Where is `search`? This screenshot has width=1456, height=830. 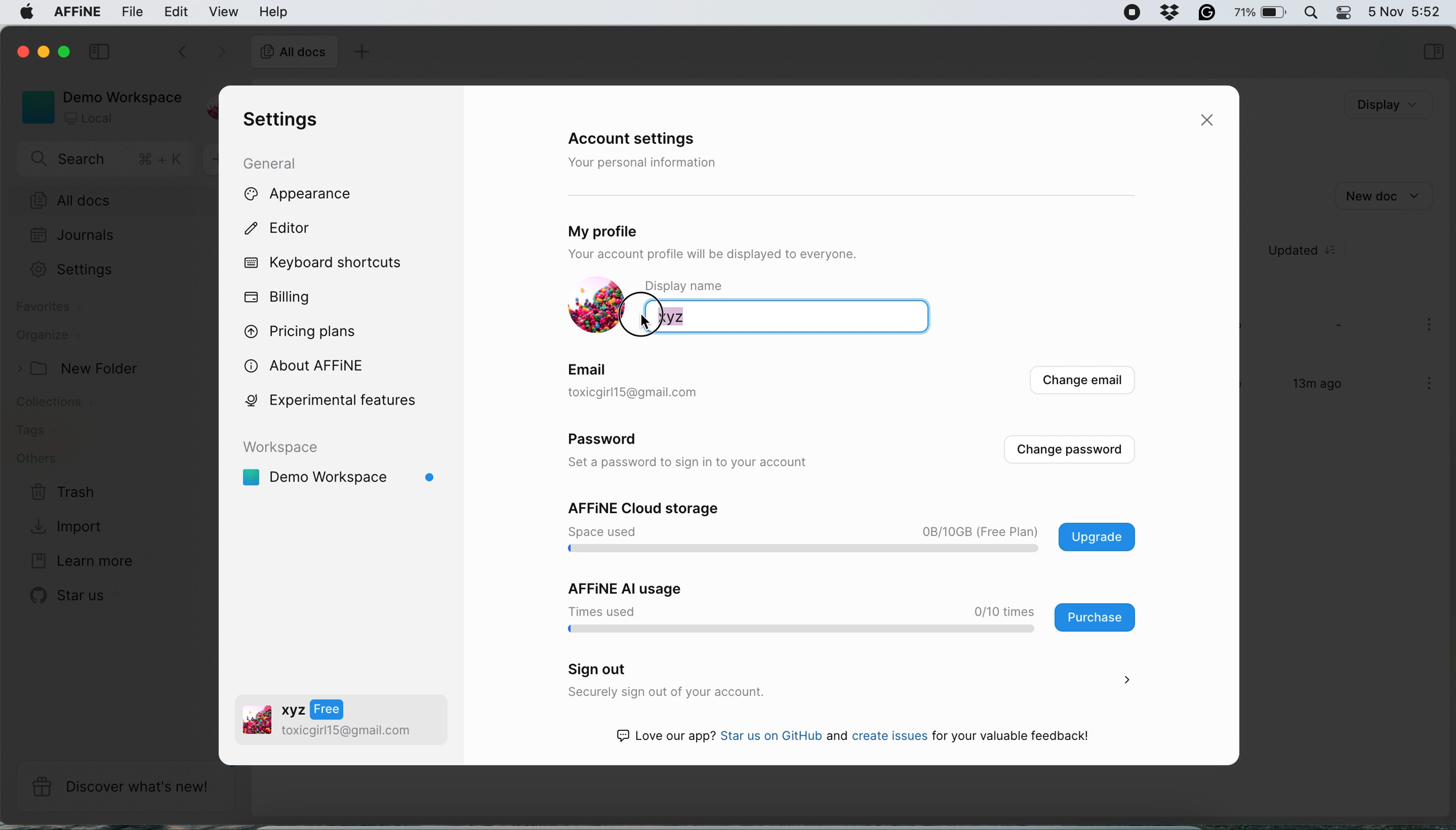 search is located at coordinates (108, 161).